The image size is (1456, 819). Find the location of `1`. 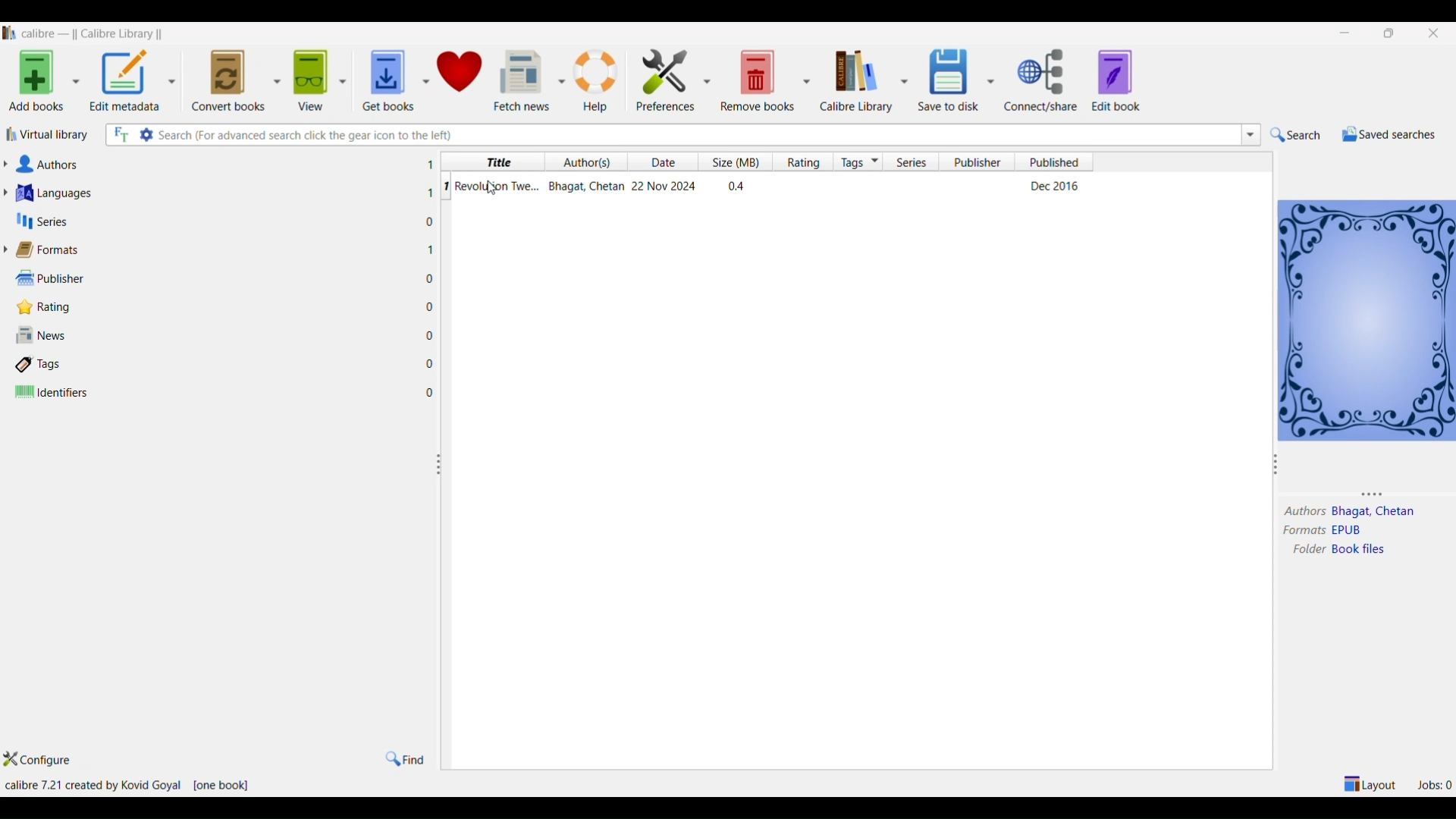

1 is located at coordinates (429, 193).